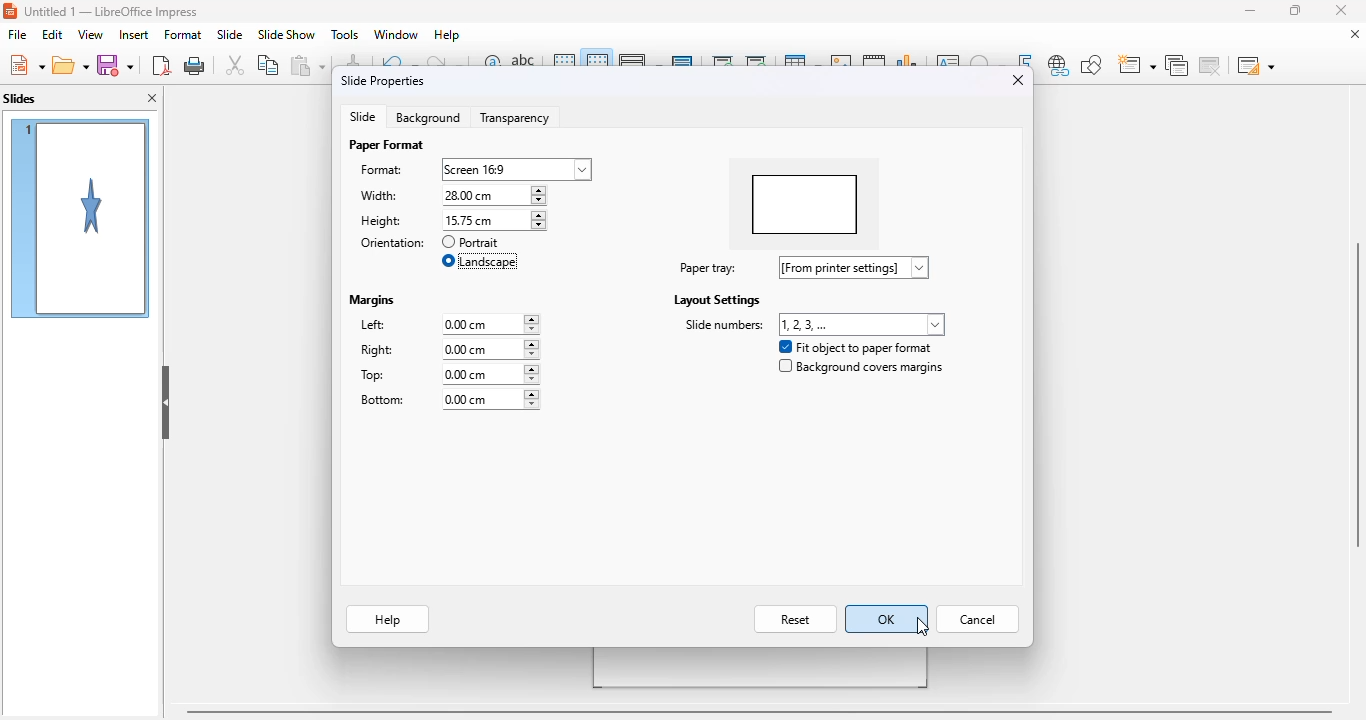 The width and height of the screenshot is (1366, 720). Describe the element at coordinates (1255, 65) in the screenshot. I see `slide layout` at that location.